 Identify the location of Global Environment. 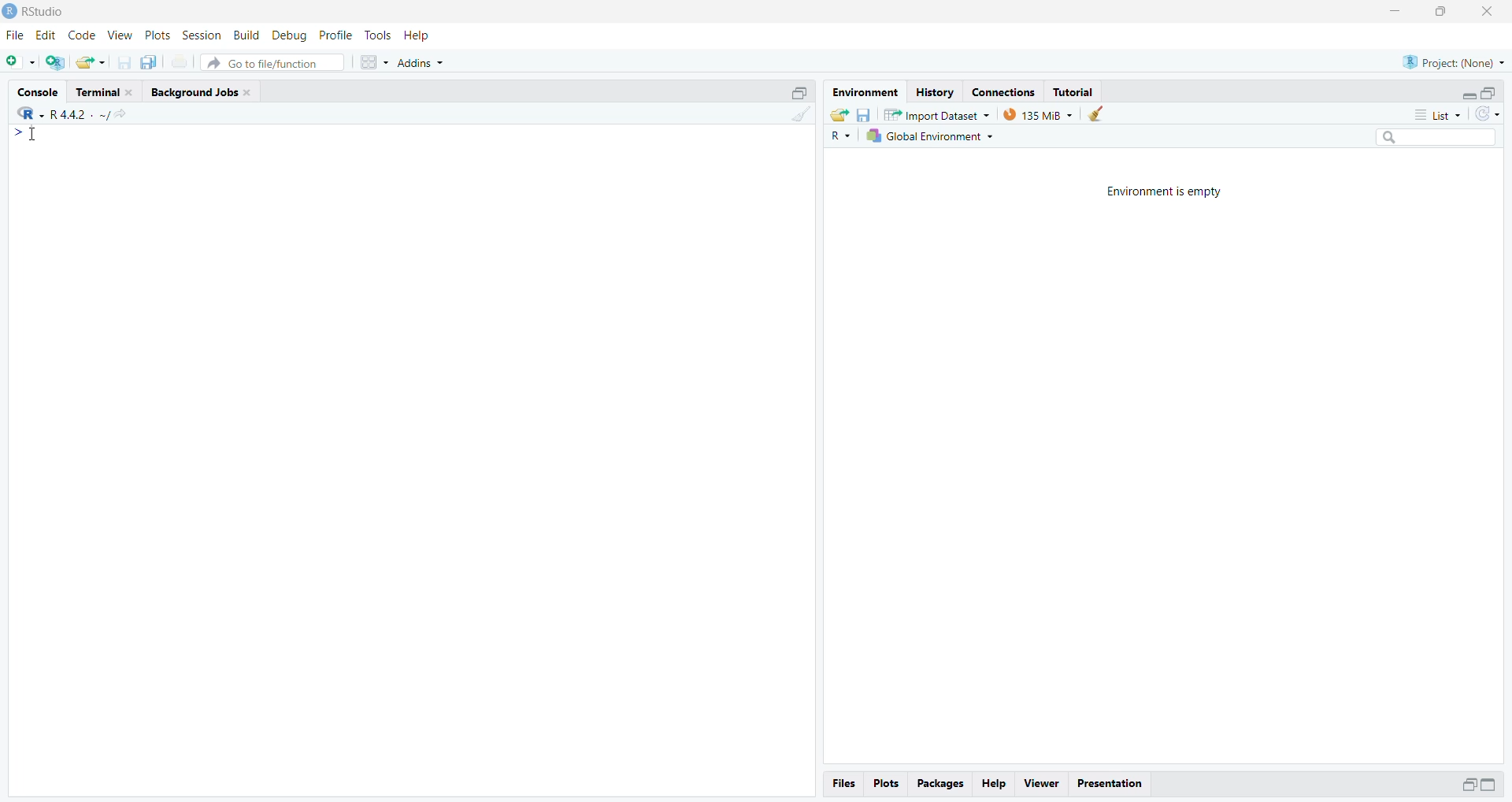
(933, 138).